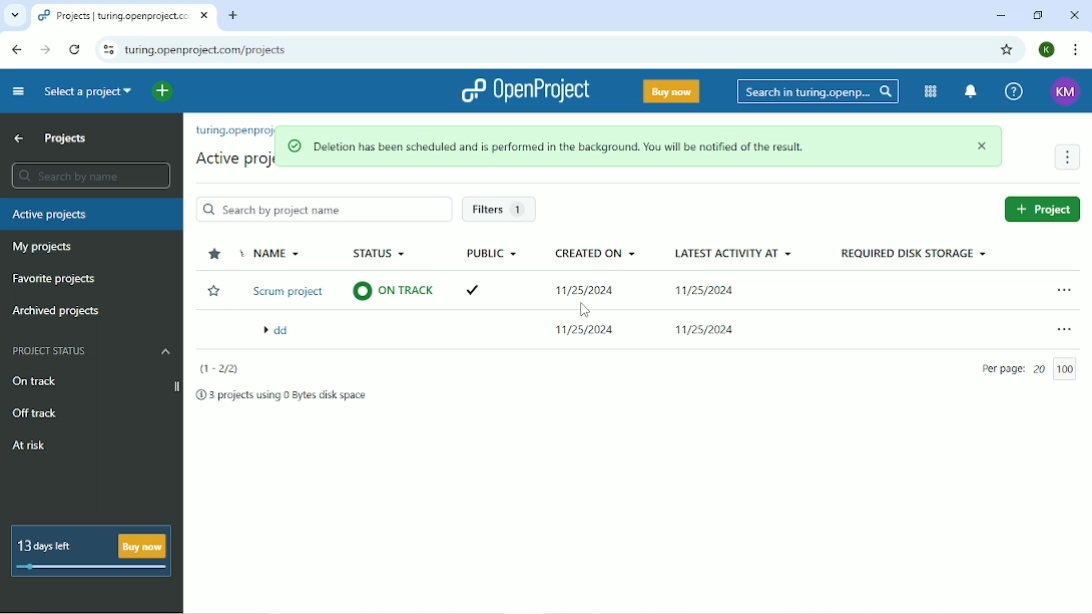 The width and height of the screenshot is (1092, 614). I want to click on Favorite projects, so click(61, 279).